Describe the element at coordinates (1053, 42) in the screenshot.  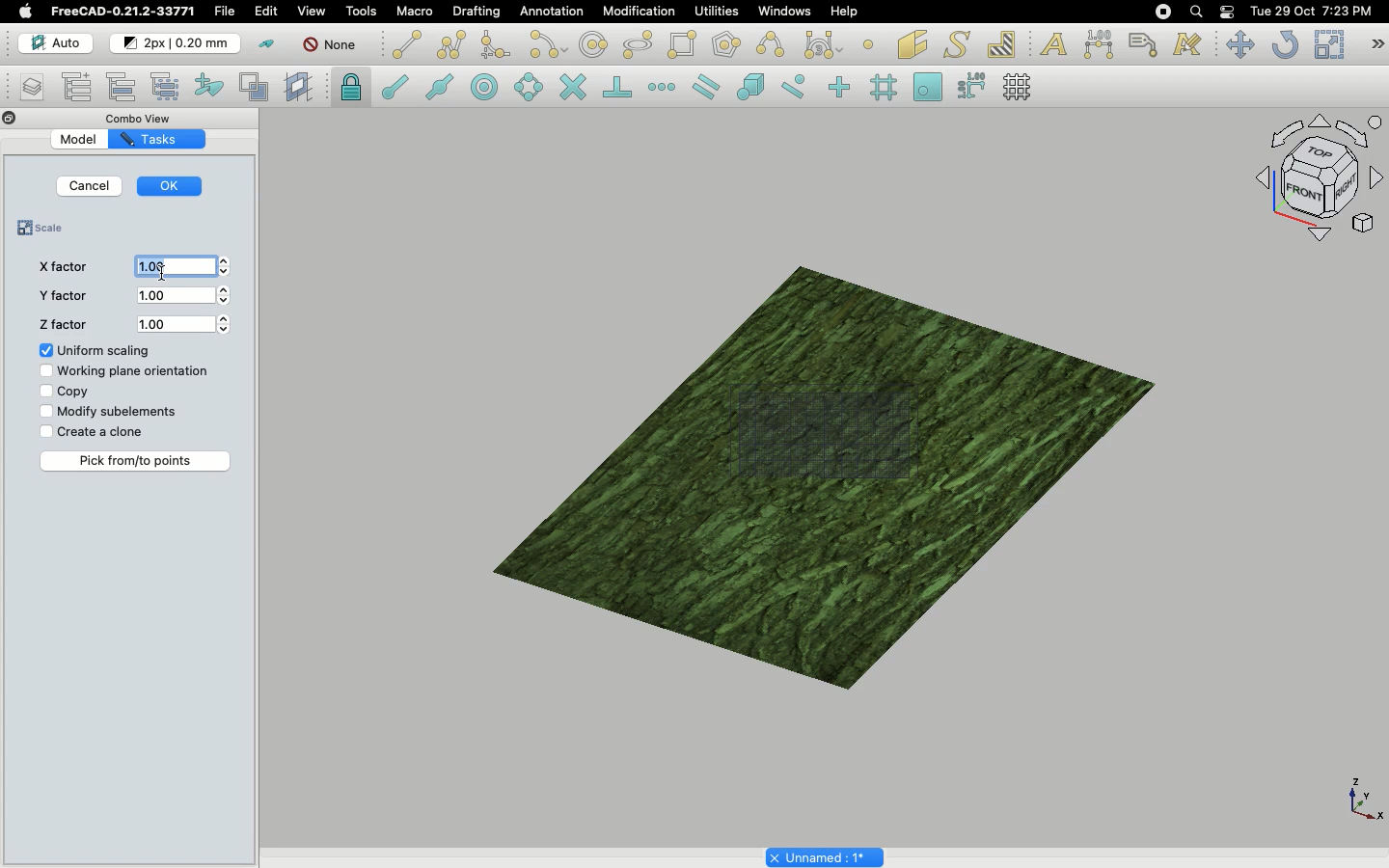
I see `Text` at that location.